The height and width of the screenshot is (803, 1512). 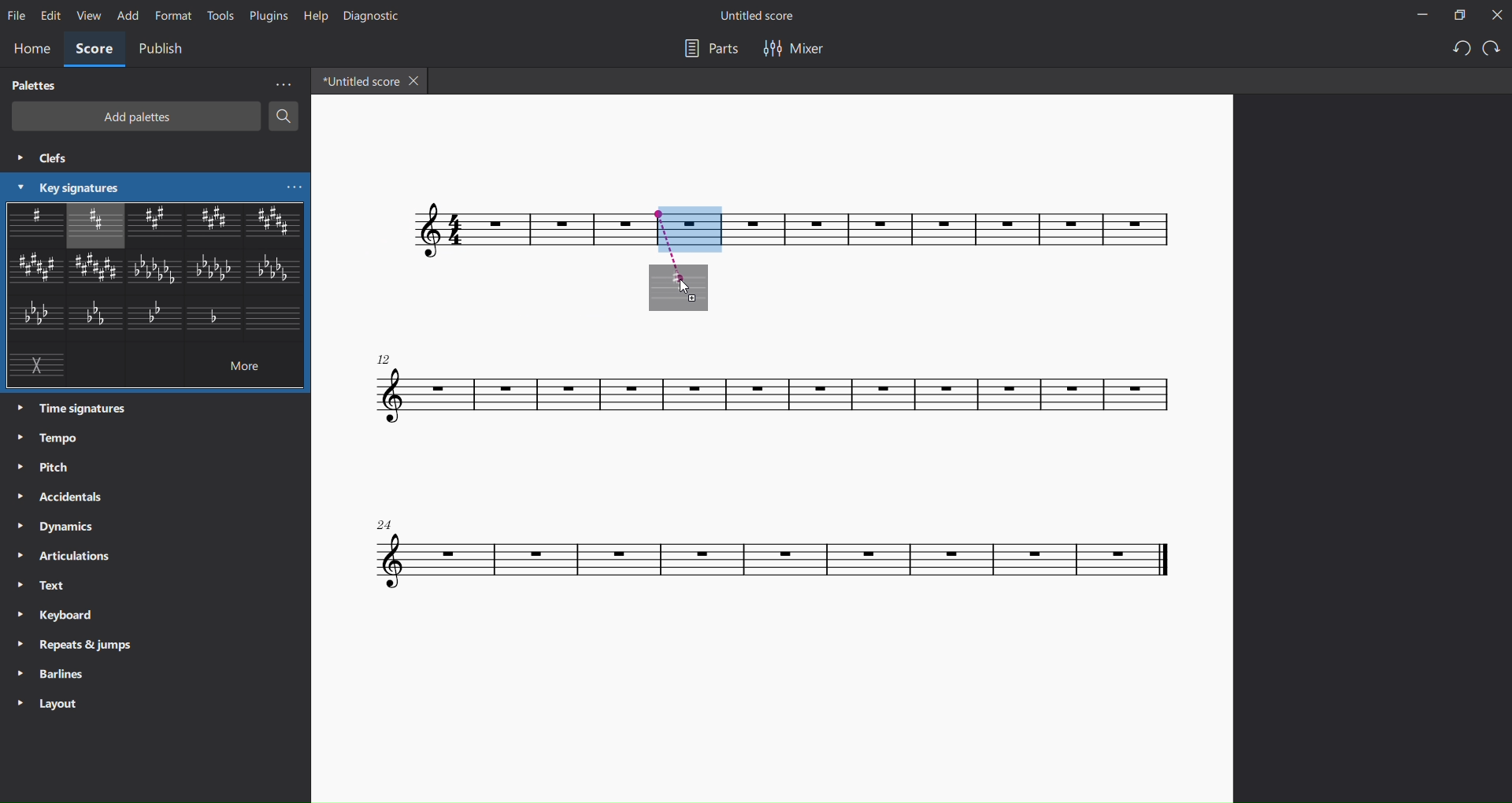 I want to click on tab name, so click(x=360, y=82).